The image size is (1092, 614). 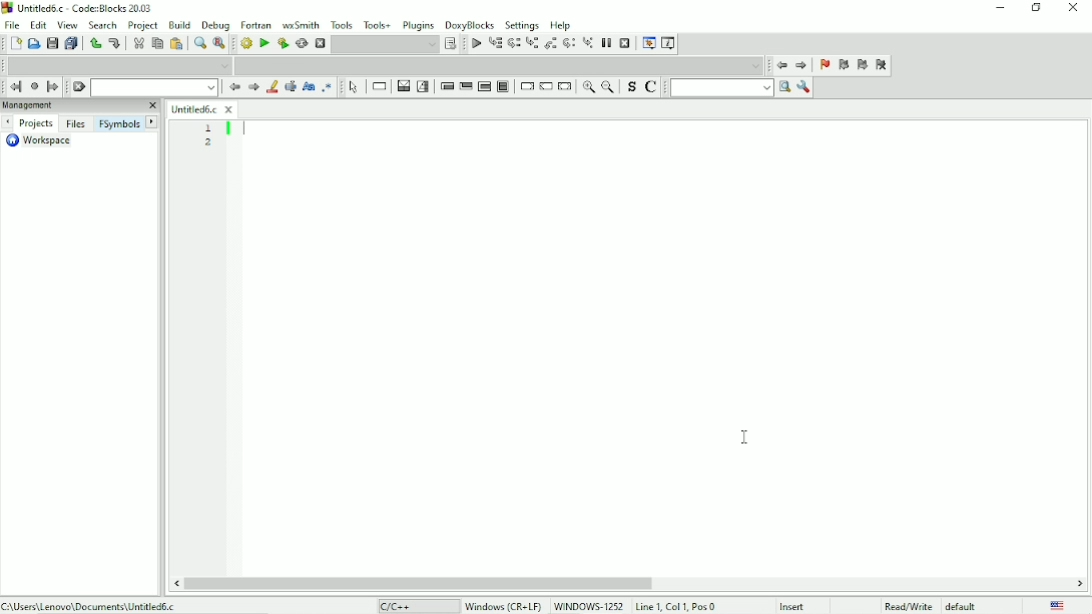 What do you see at coordinates (746, 436) in the screenshot?
I see `Cursor` at bounding box center [746, 436].